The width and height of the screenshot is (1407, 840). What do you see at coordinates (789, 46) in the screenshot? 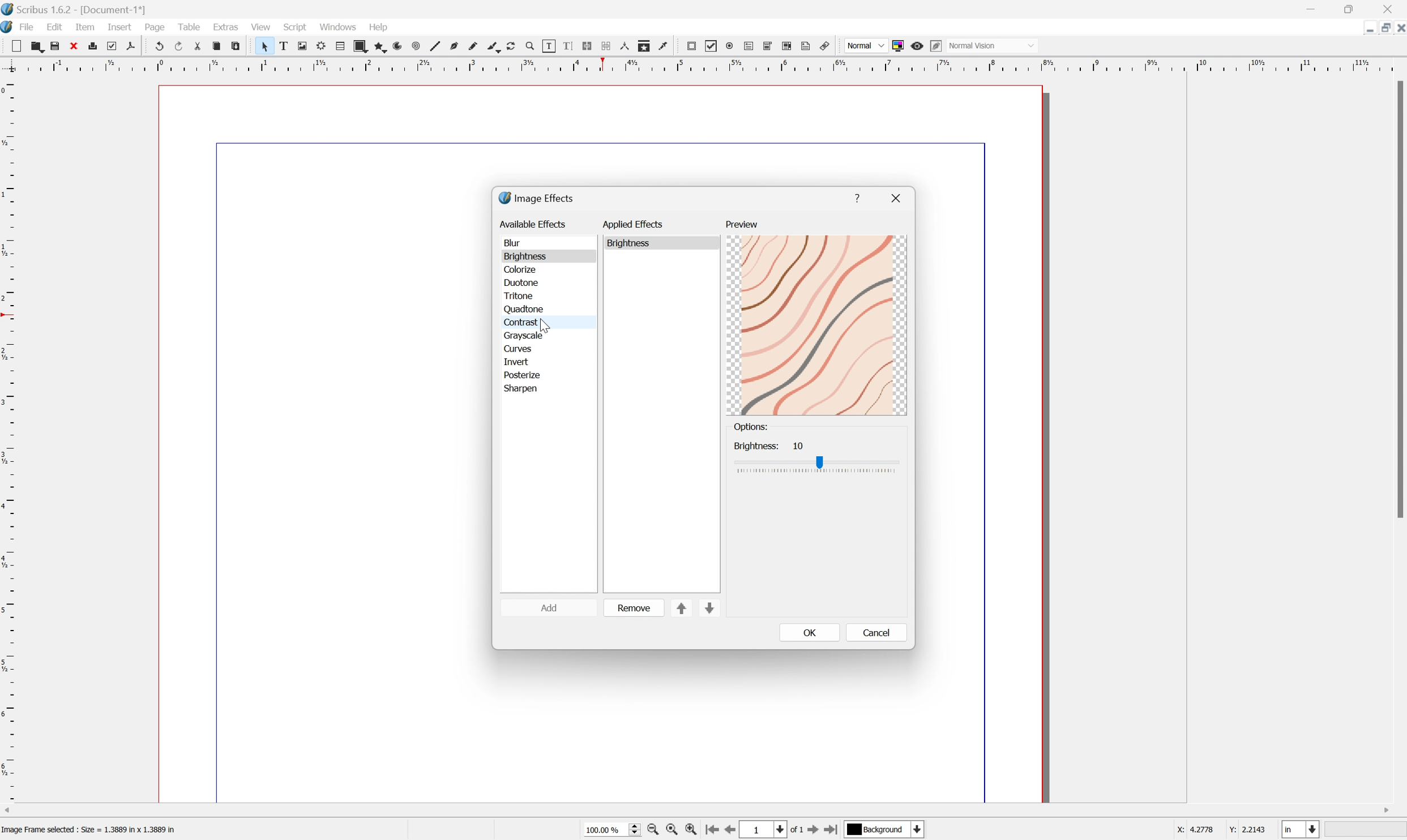
I see `PDF List Box` at bounding box center [789, 46].